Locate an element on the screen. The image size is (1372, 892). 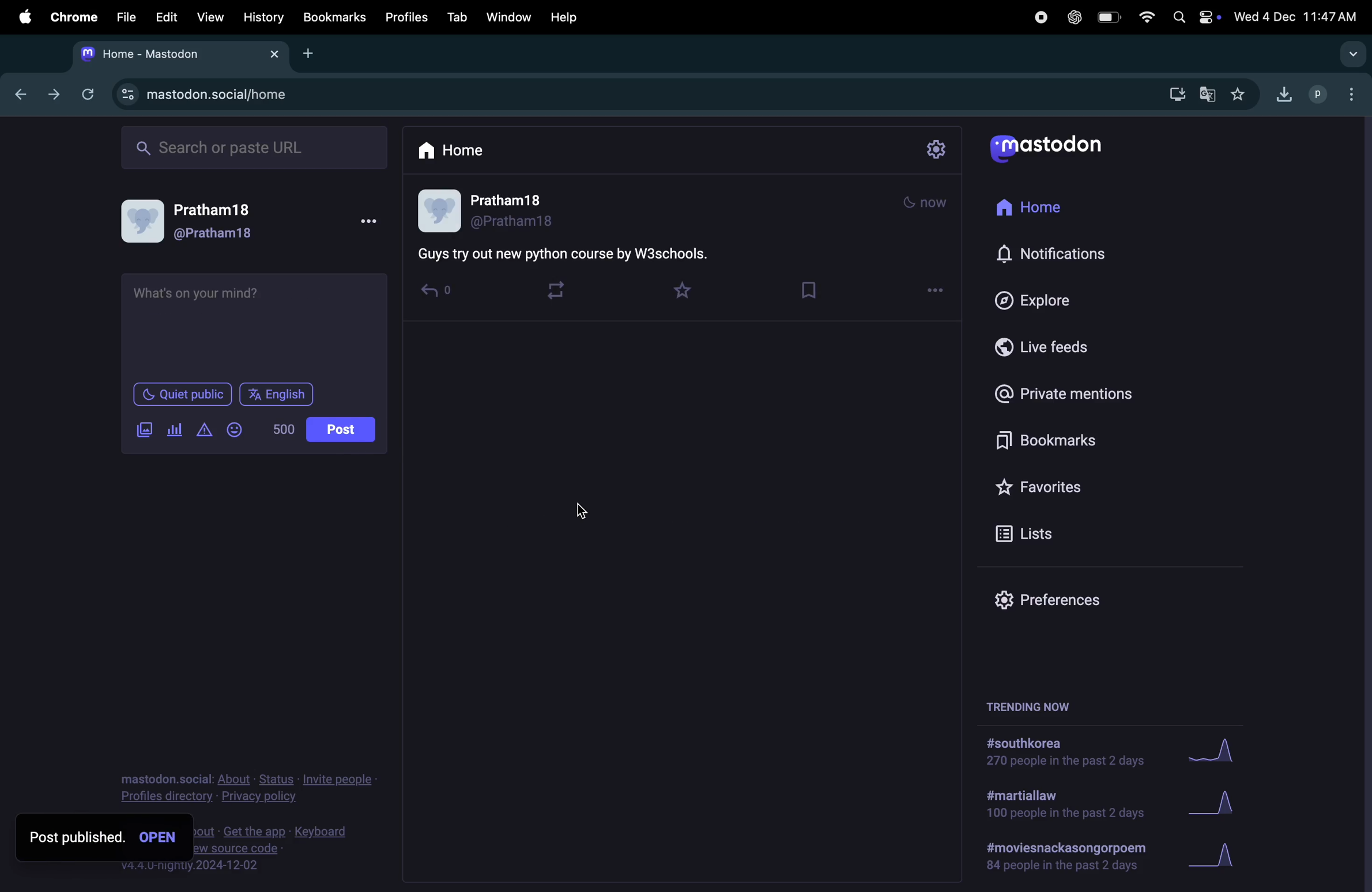
post published is located at coordinates (105, 837).